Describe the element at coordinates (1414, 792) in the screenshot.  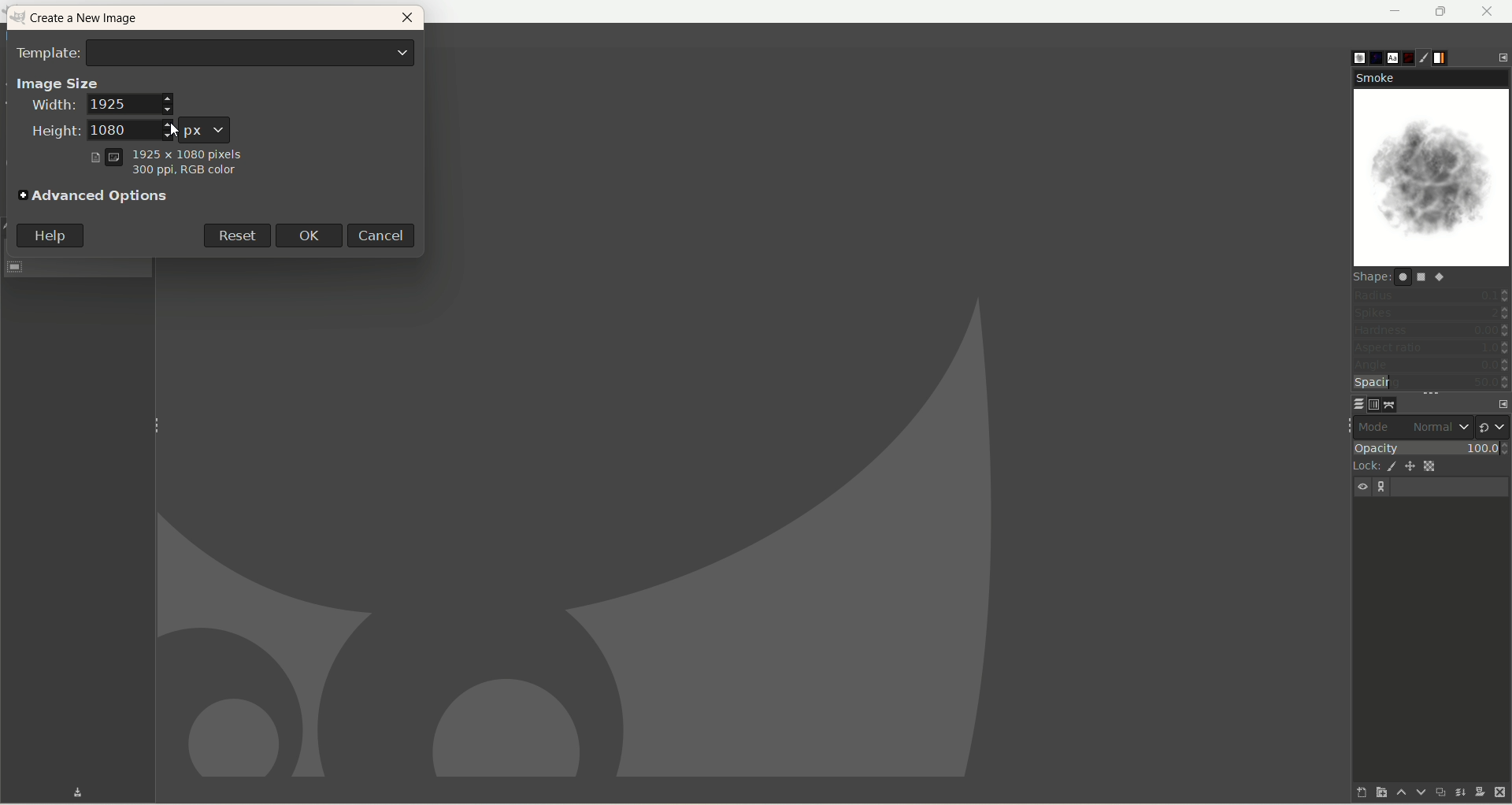
I see `lower this layer one step` at that location.